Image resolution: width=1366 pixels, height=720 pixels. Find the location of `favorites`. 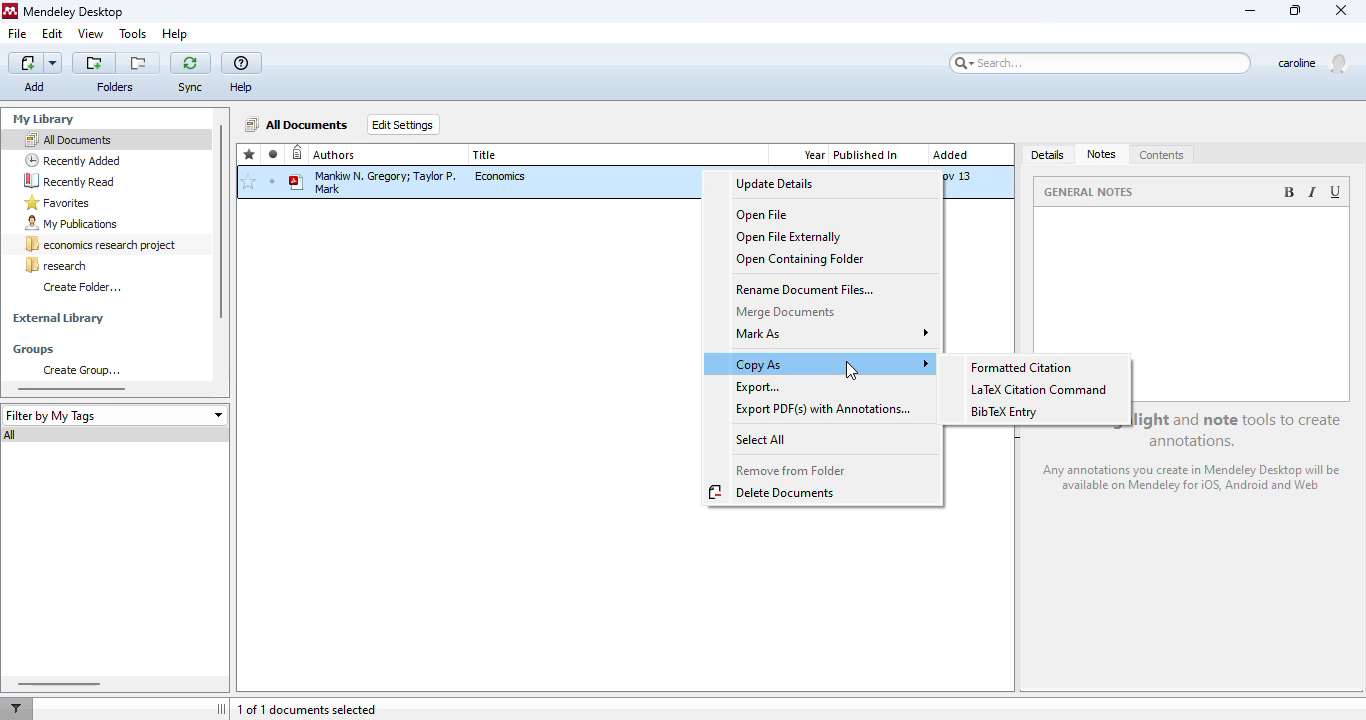

favorites is located at coordinates (250, 155).